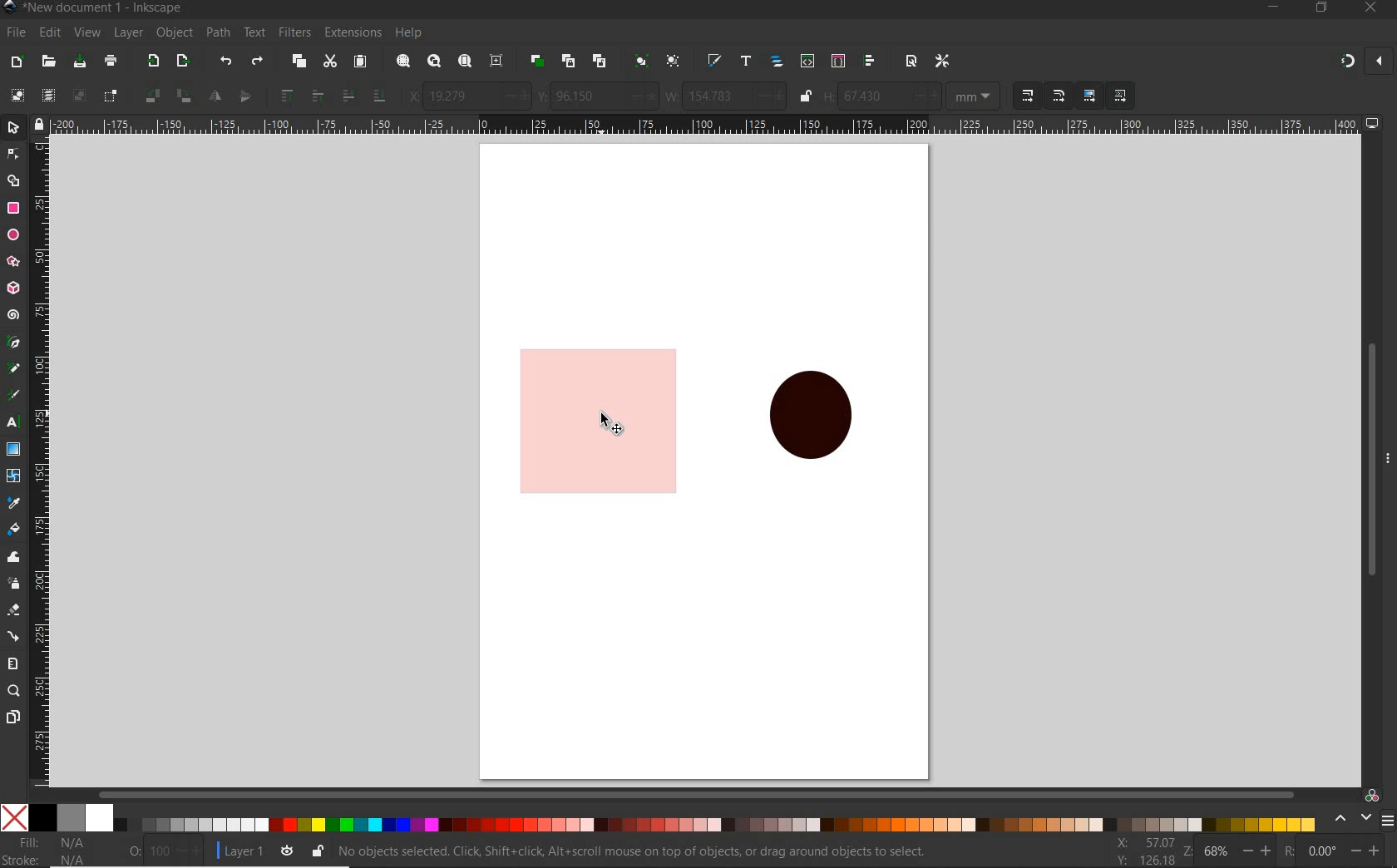 This screenshot has width=1397, height=868. Describe the element at coordinates (52, 852) in the screenshot. I see `file &stroke` at that location.